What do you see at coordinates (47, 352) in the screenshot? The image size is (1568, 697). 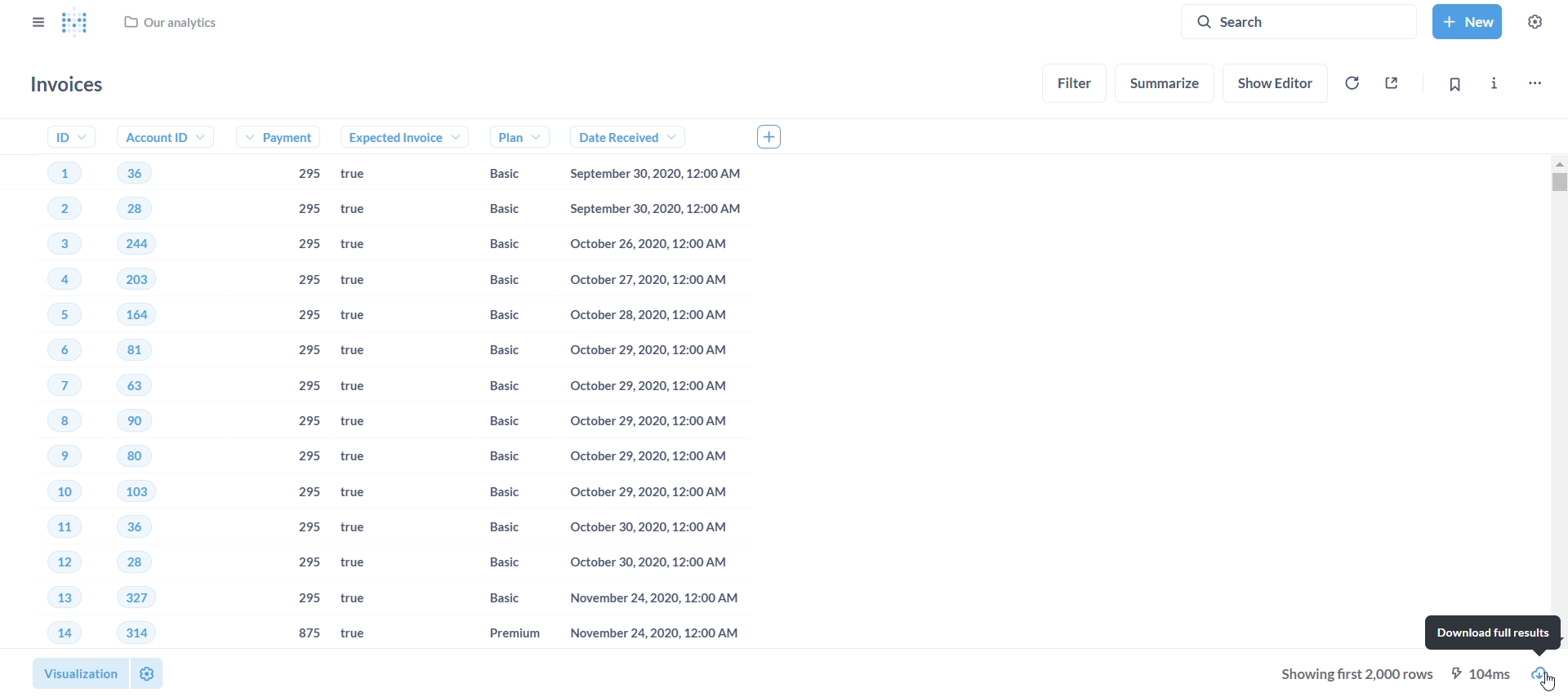 I see `6` at bounding box center [47, 352].